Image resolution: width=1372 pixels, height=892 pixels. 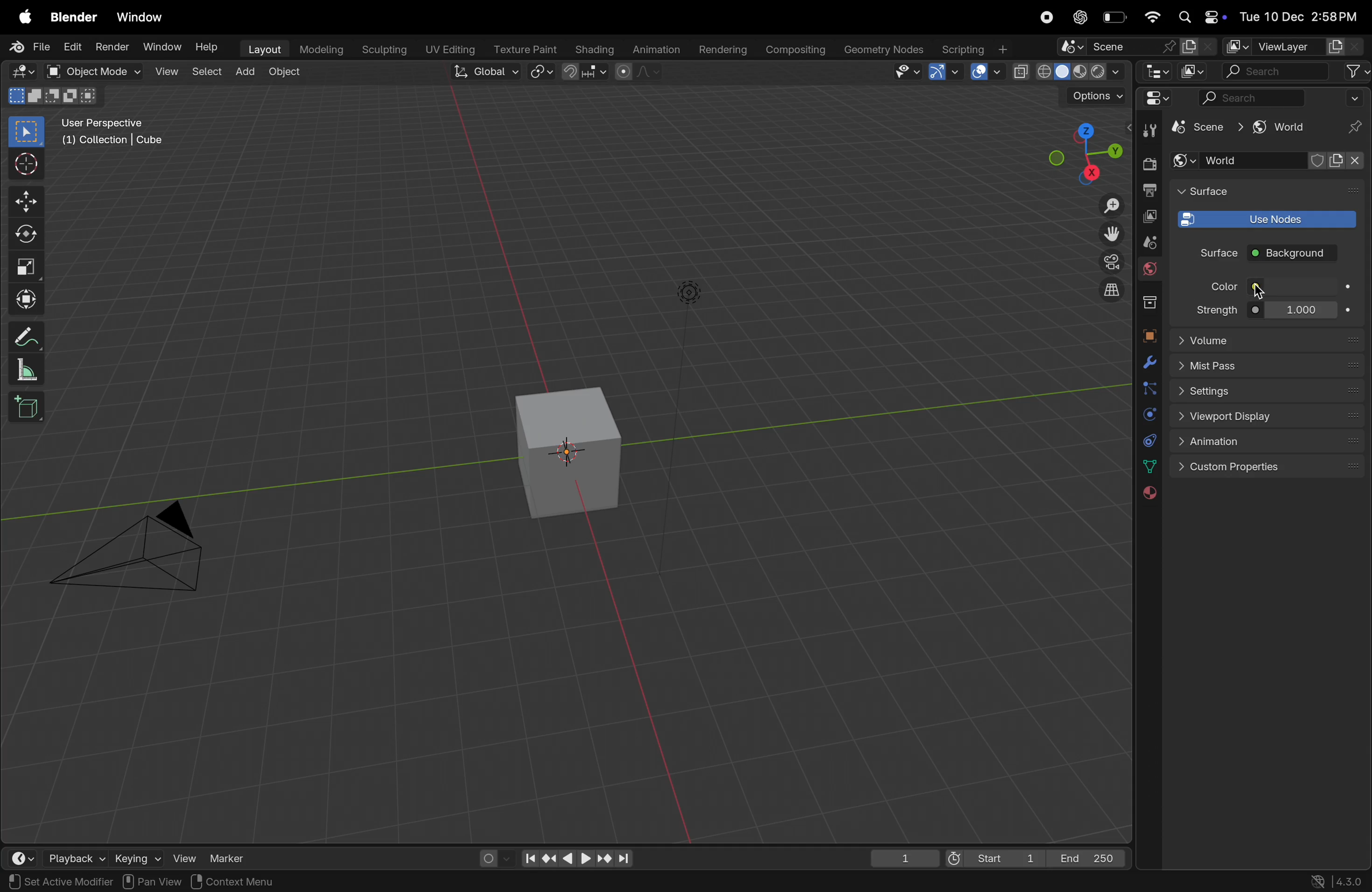 I want to click on view, so click(x=184, y=858).